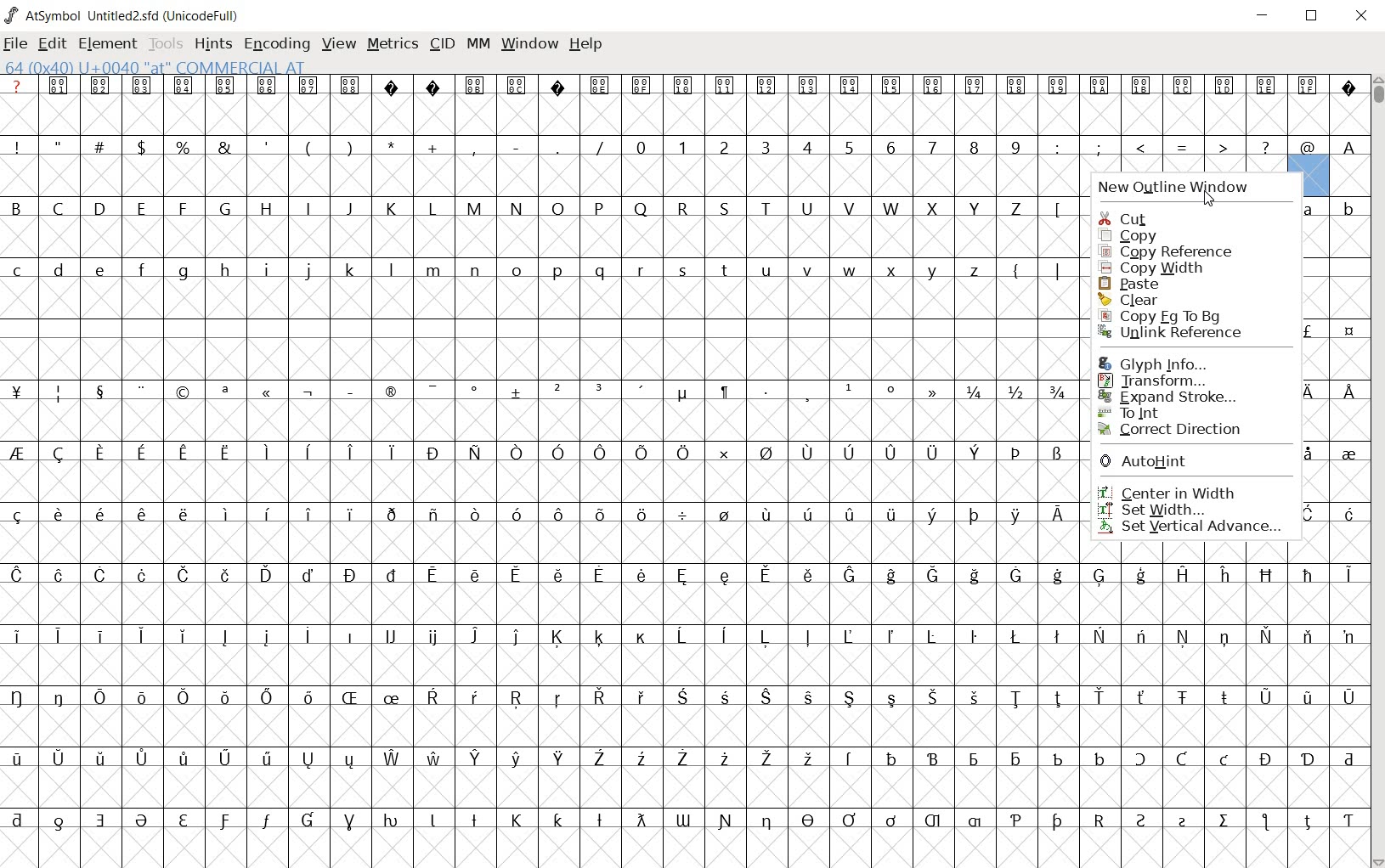 The image size is (1385, 868). I want to click on EDIT, so click(53, 44).